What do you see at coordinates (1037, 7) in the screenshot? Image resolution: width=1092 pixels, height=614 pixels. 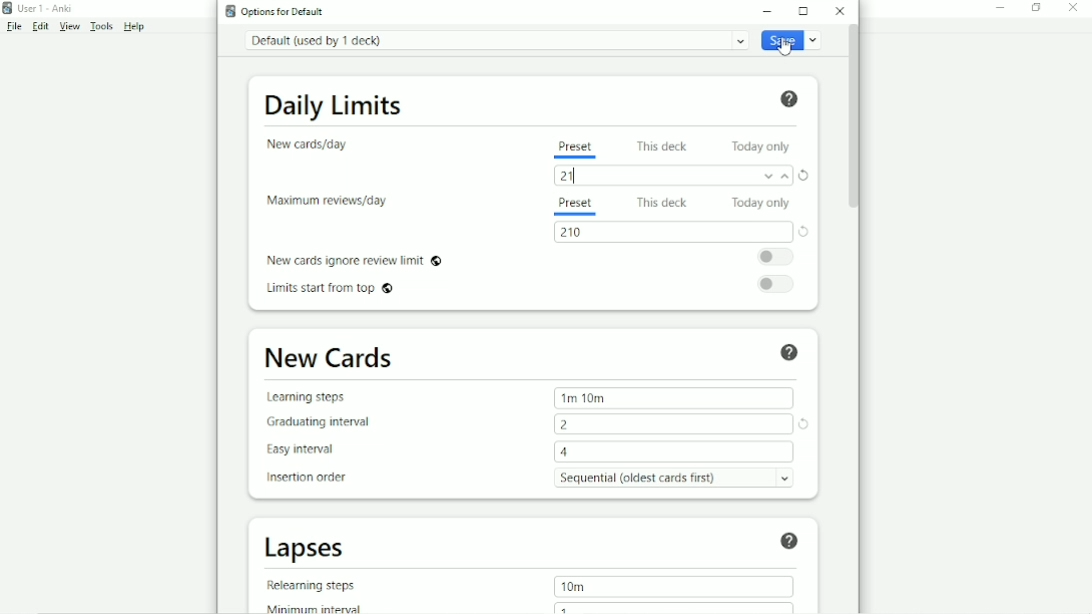 I see `Restore down` at bounding box center [1037, 7].